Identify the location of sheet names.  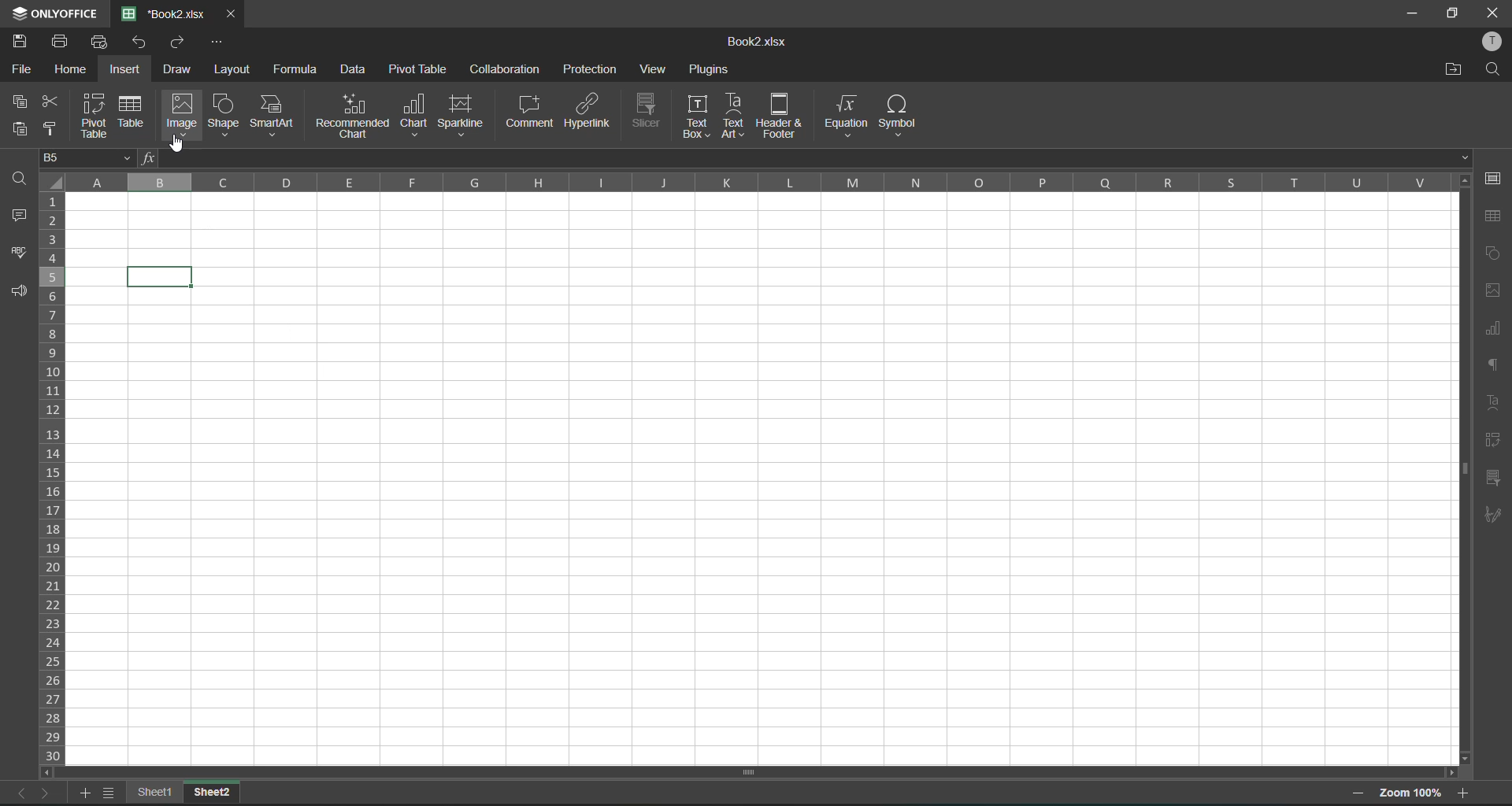
(160, 791).